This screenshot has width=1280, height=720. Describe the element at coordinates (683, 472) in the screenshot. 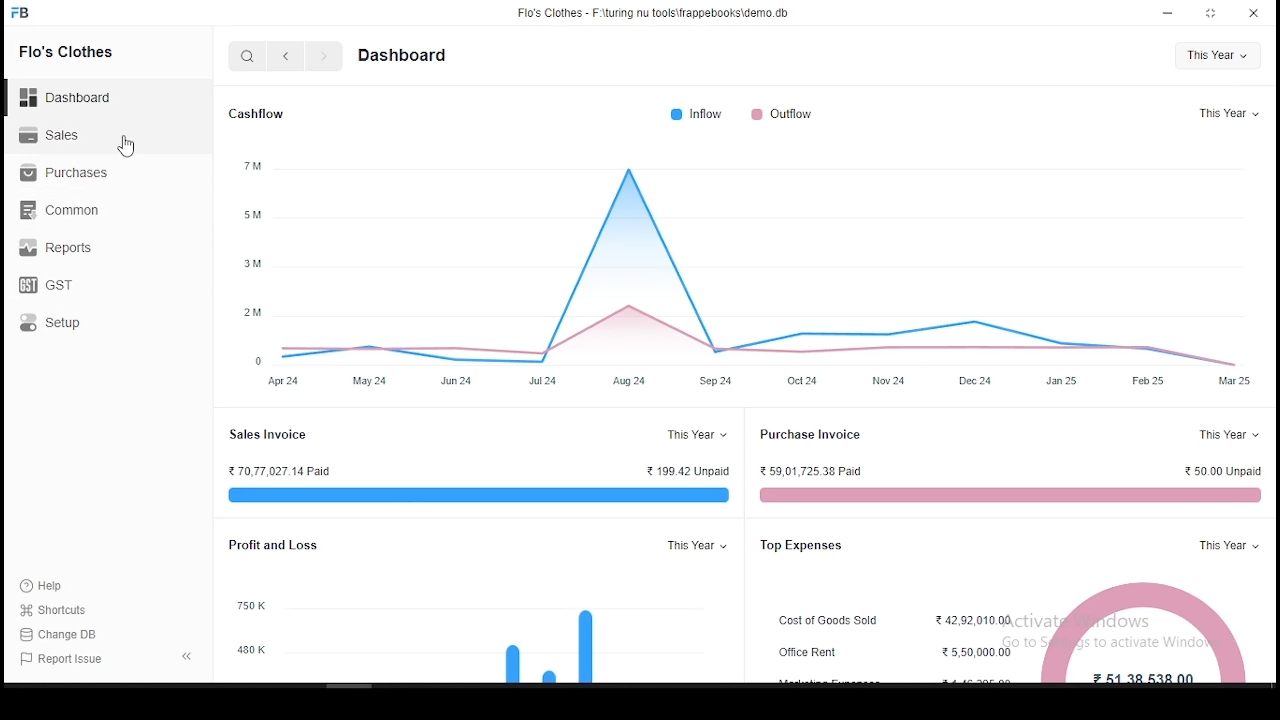

I see `199.42 Unpaid` at that location.